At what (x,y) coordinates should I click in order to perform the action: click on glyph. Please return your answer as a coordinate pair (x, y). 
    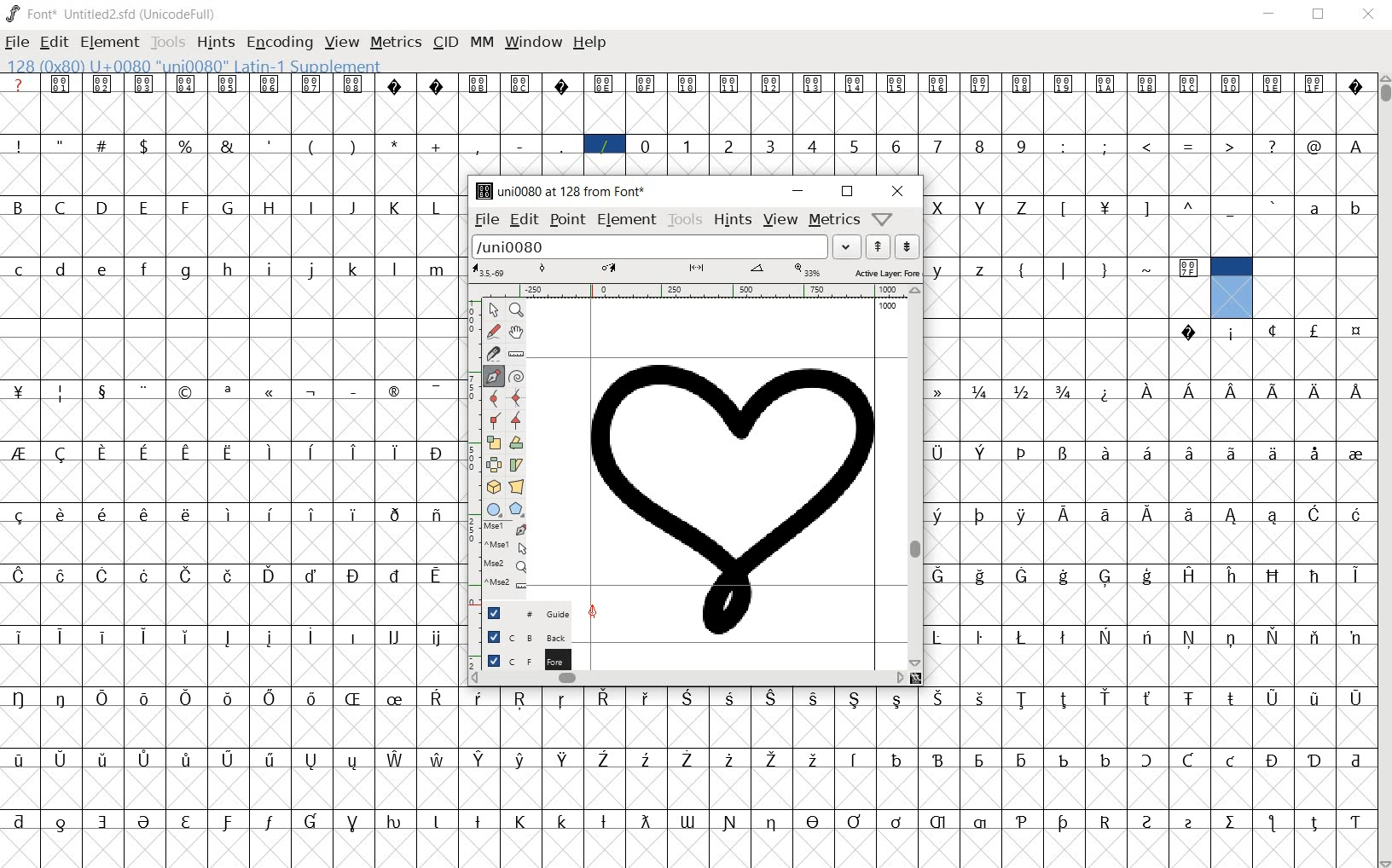
    Looking at the image, I should click on (730, 823).